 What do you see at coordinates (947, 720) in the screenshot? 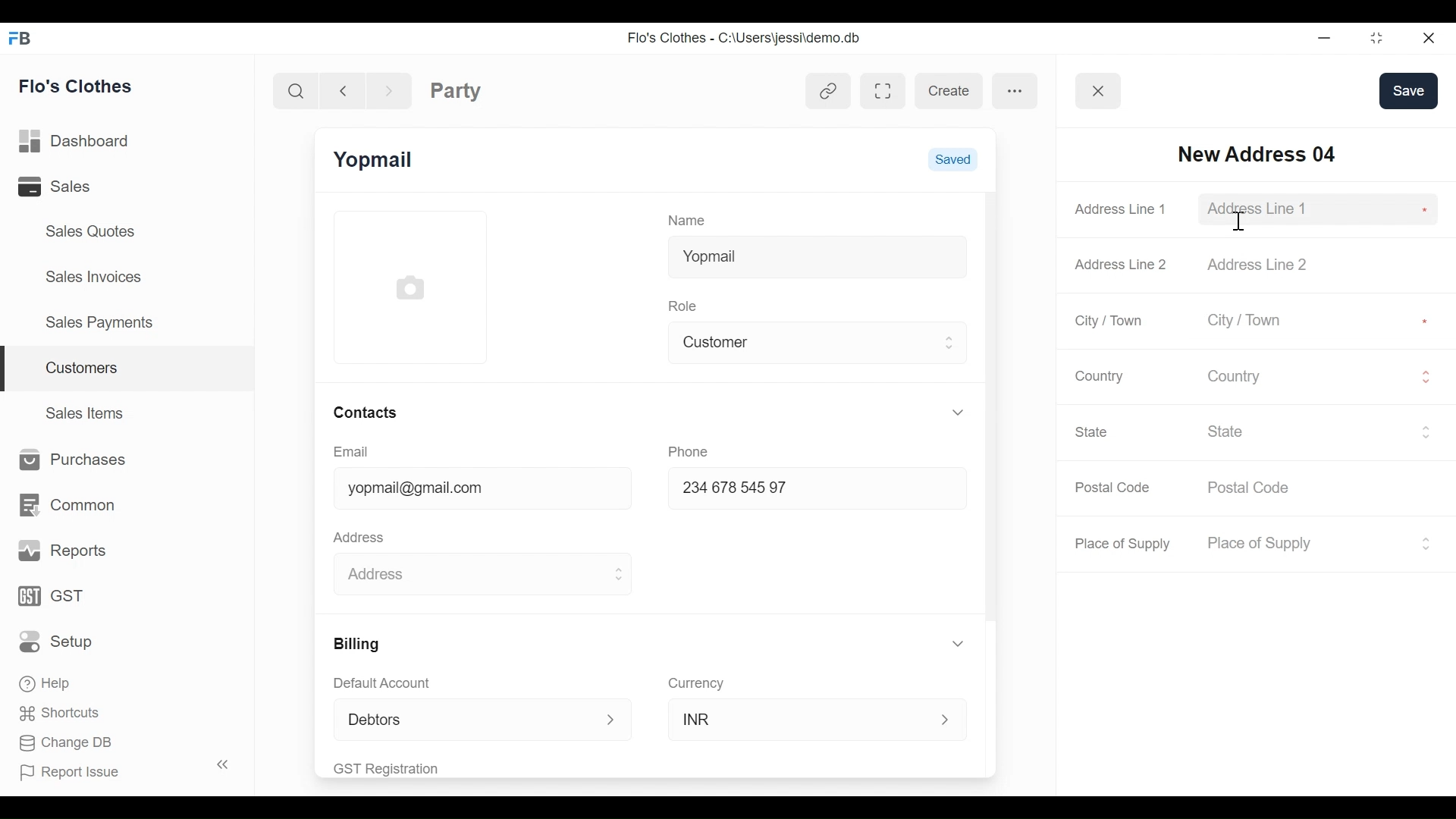
I see `Expand` at bounding box center [947, 720].